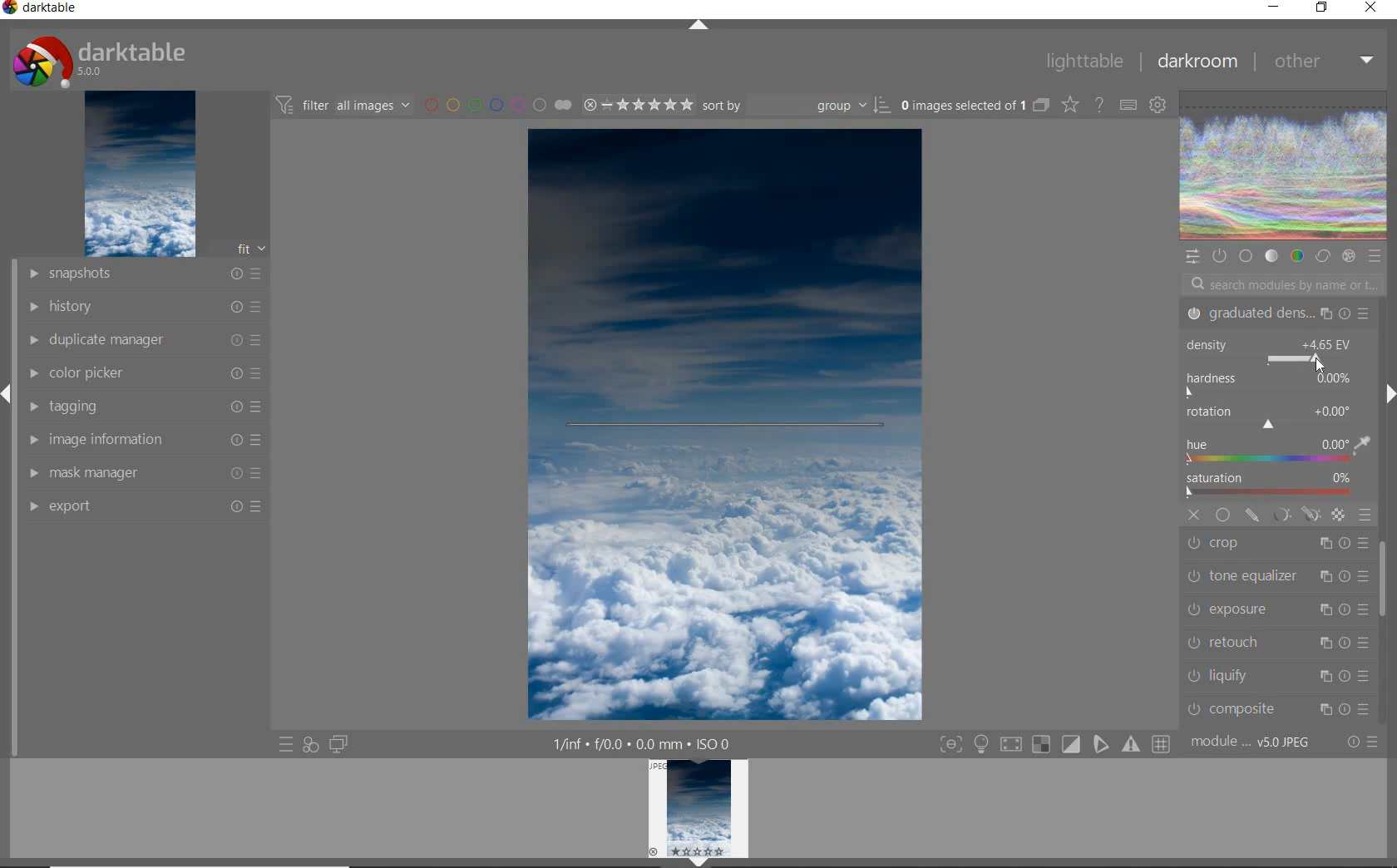 Image resolution: width=1397 pixels, height=868 pixels. What do you see at coordinates (1273, 6) in the screenshot?
I see `MINIMIZE` at bounding box center [1273, 6].